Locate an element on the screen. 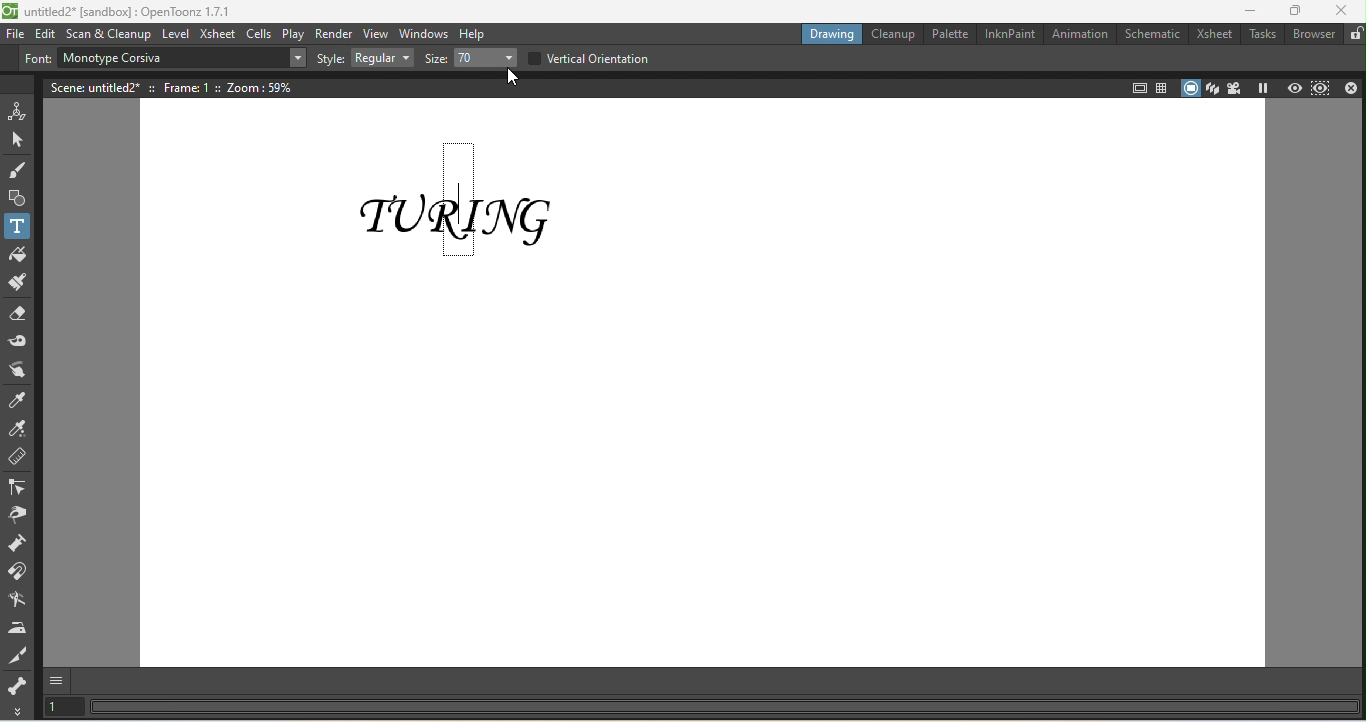 The height and width of the screenshot is (722, 1366). Lock rooms tab is located at coordinates (1354, 34).